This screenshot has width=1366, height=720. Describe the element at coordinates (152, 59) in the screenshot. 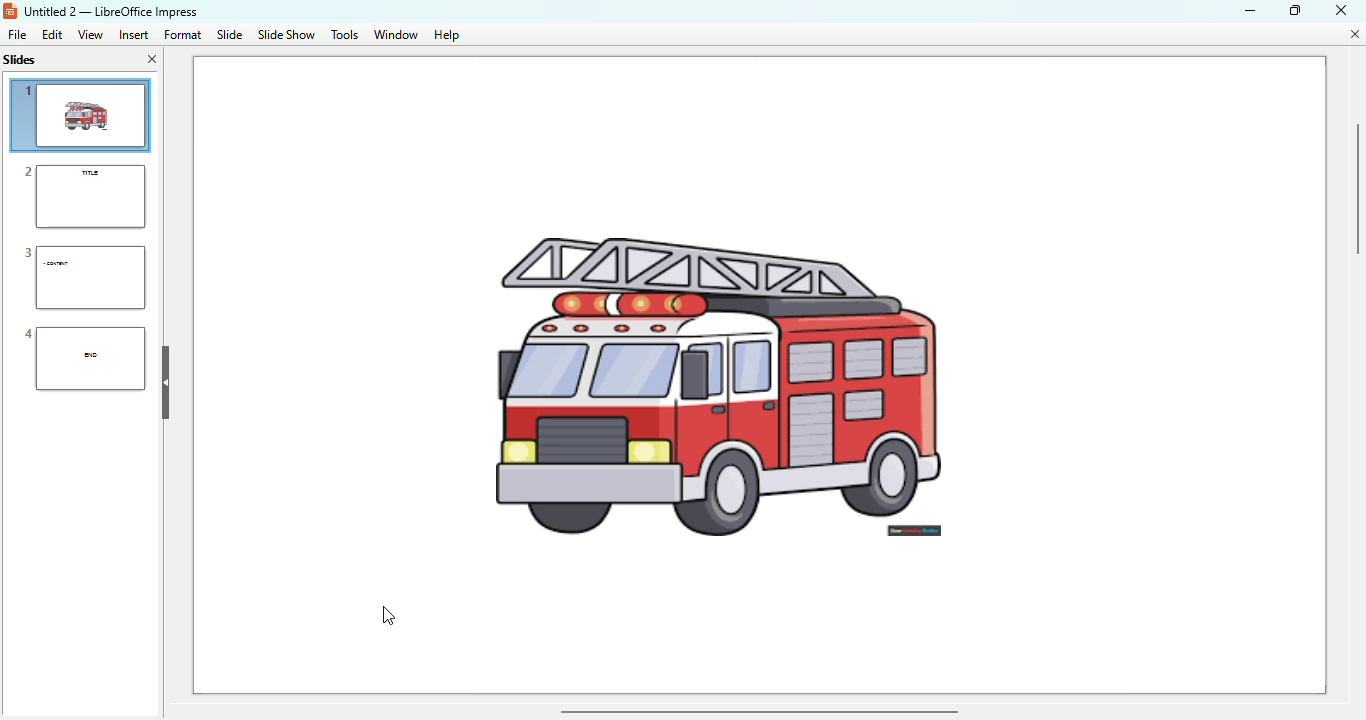

I see `close pane` at that location.